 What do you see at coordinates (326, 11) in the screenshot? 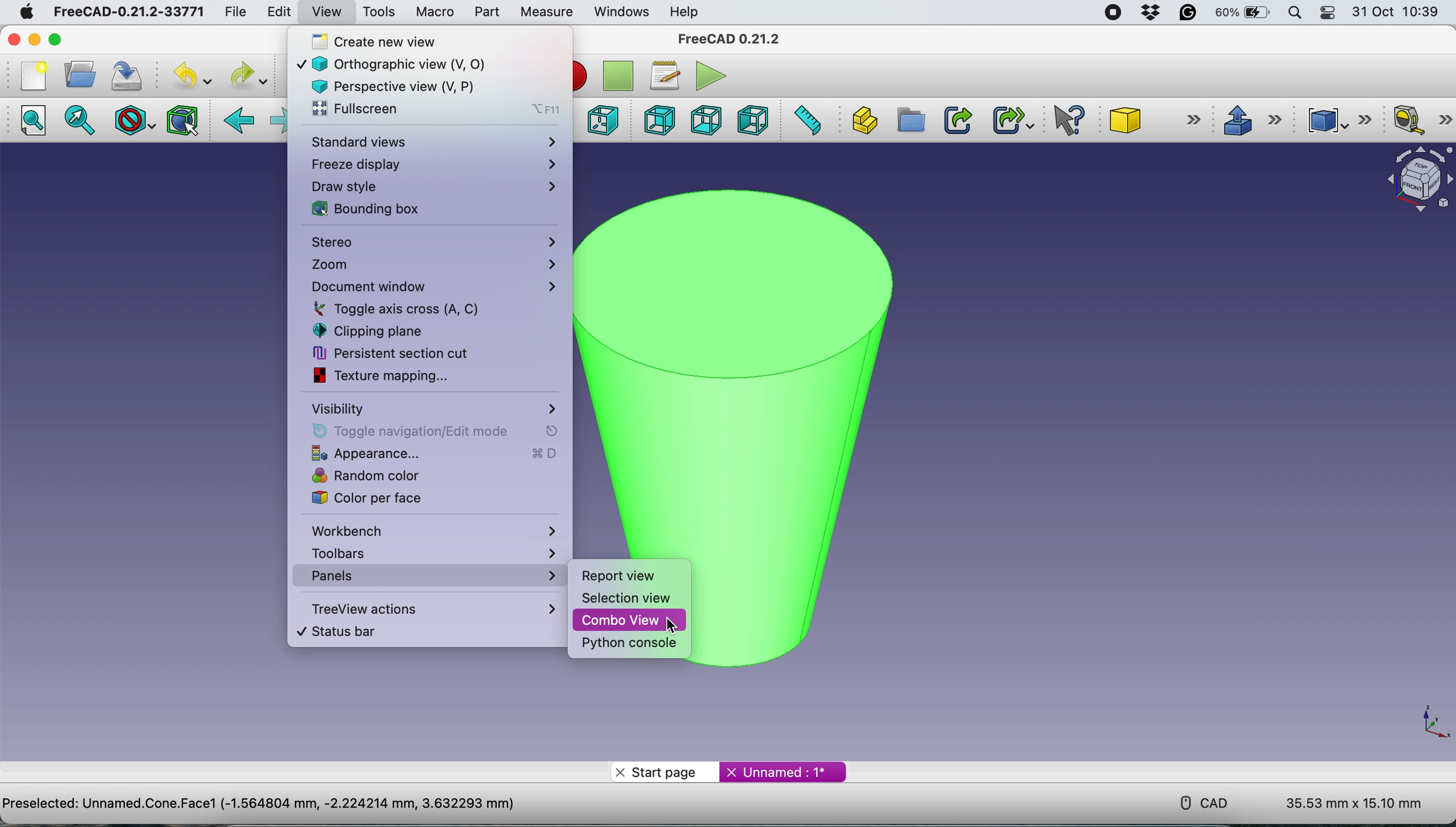
I see `view` at bounding box center [326, 11].